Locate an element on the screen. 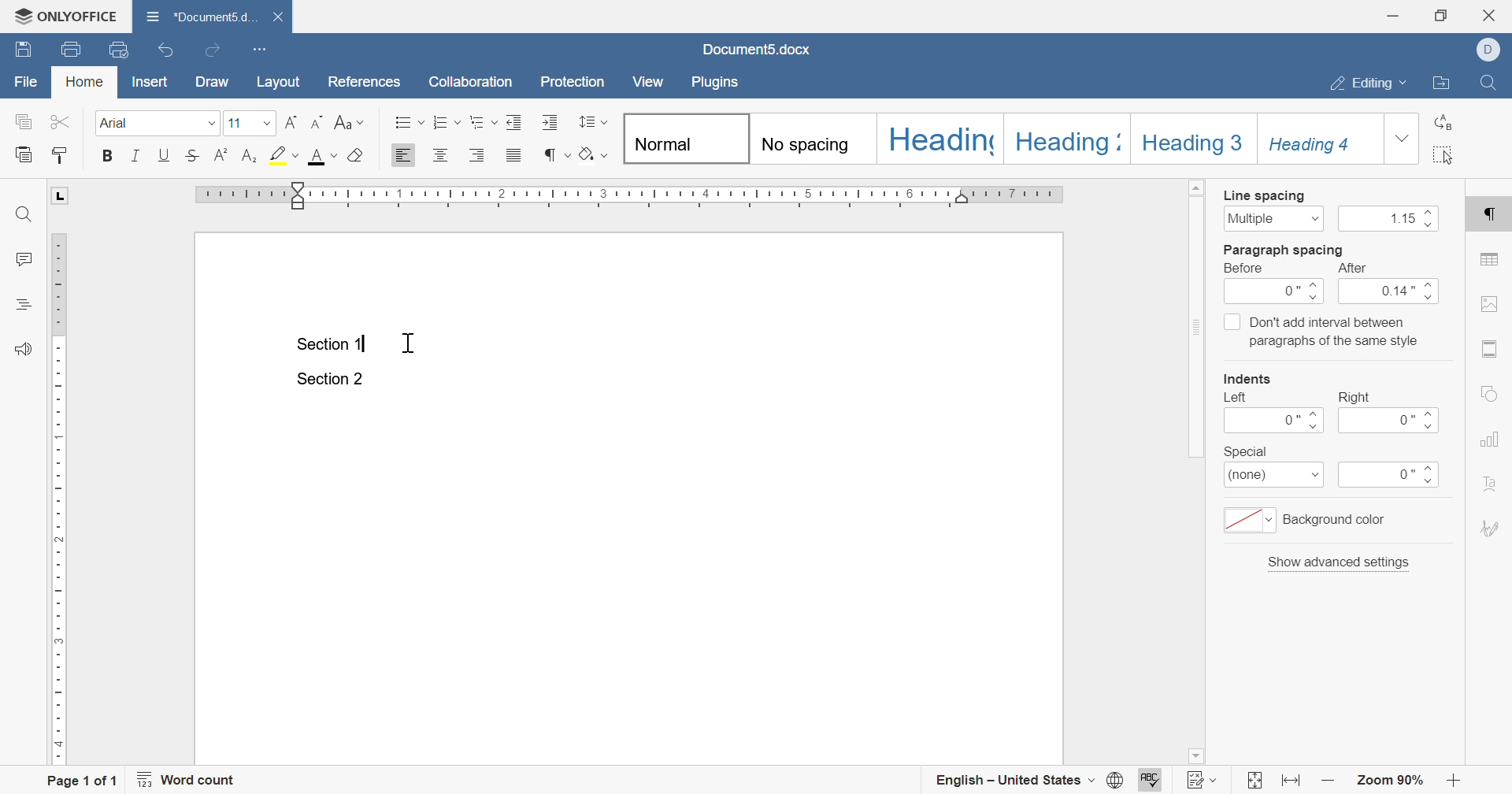 The width and height of the screenshot is (1512, 794). justified is located at coordinates (513, 155).